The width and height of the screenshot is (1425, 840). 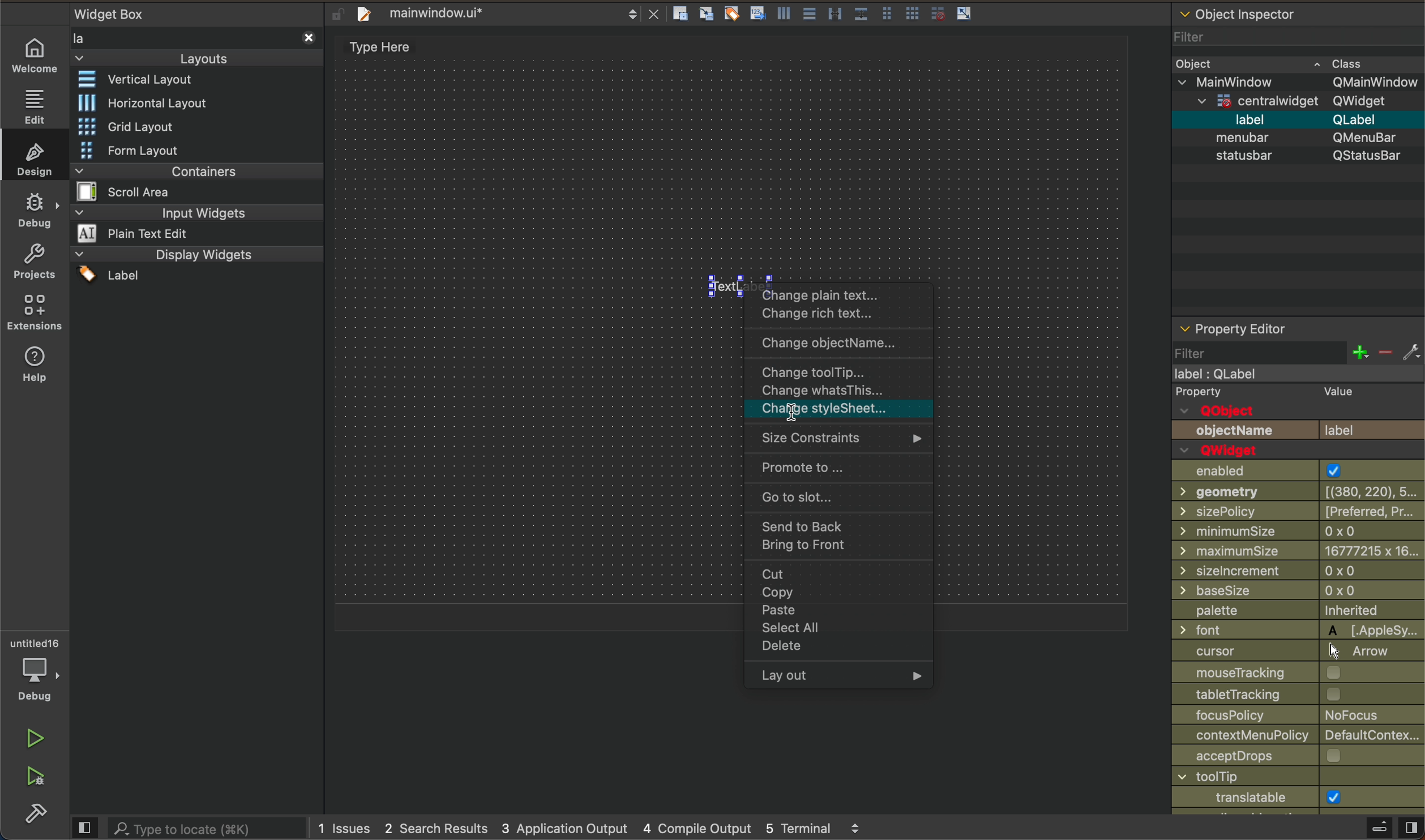 What do you see at coordinates (1293, 374) in the screenshot?
I see `main window` at bounding box center [1293, 374].